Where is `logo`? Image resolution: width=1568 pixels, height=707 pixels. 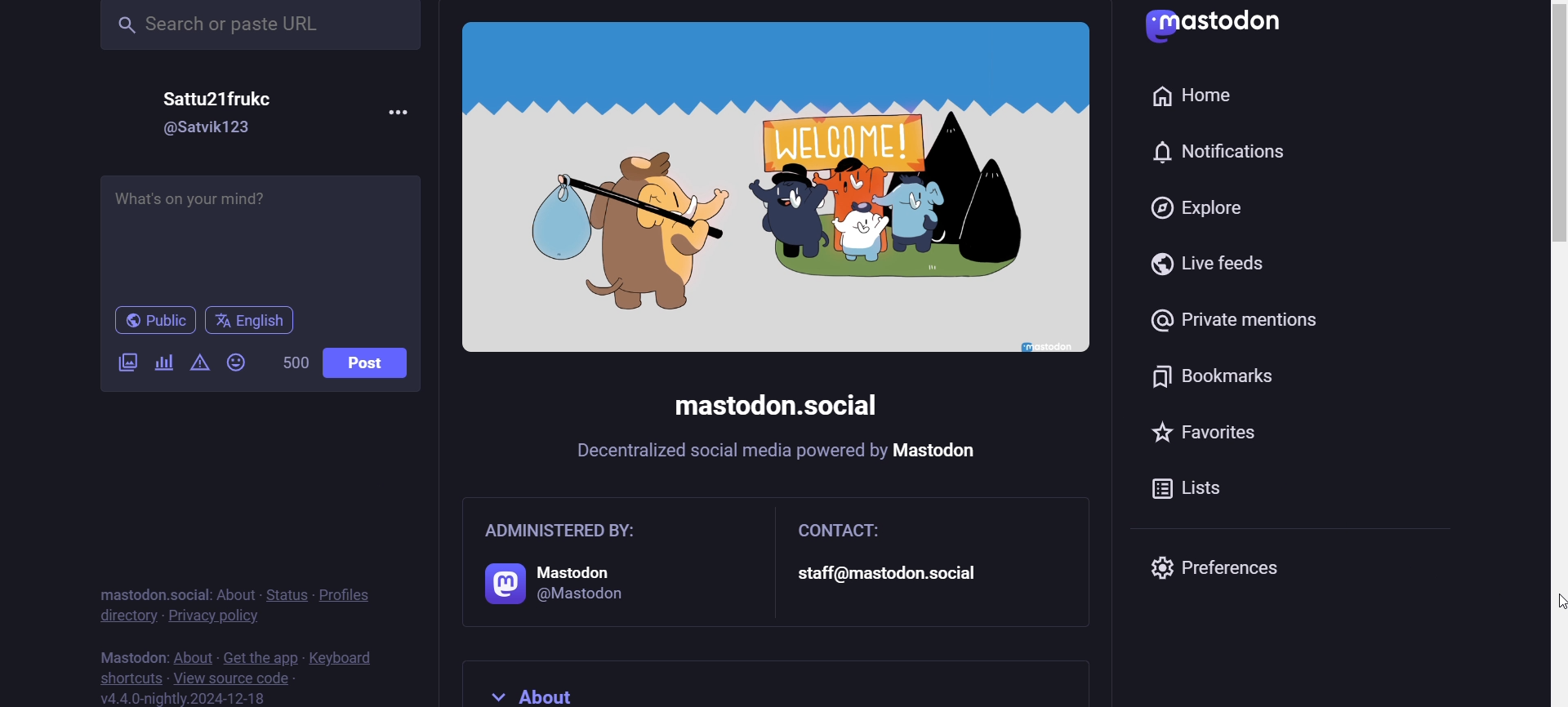
logo is located at coordinates (501, 585).